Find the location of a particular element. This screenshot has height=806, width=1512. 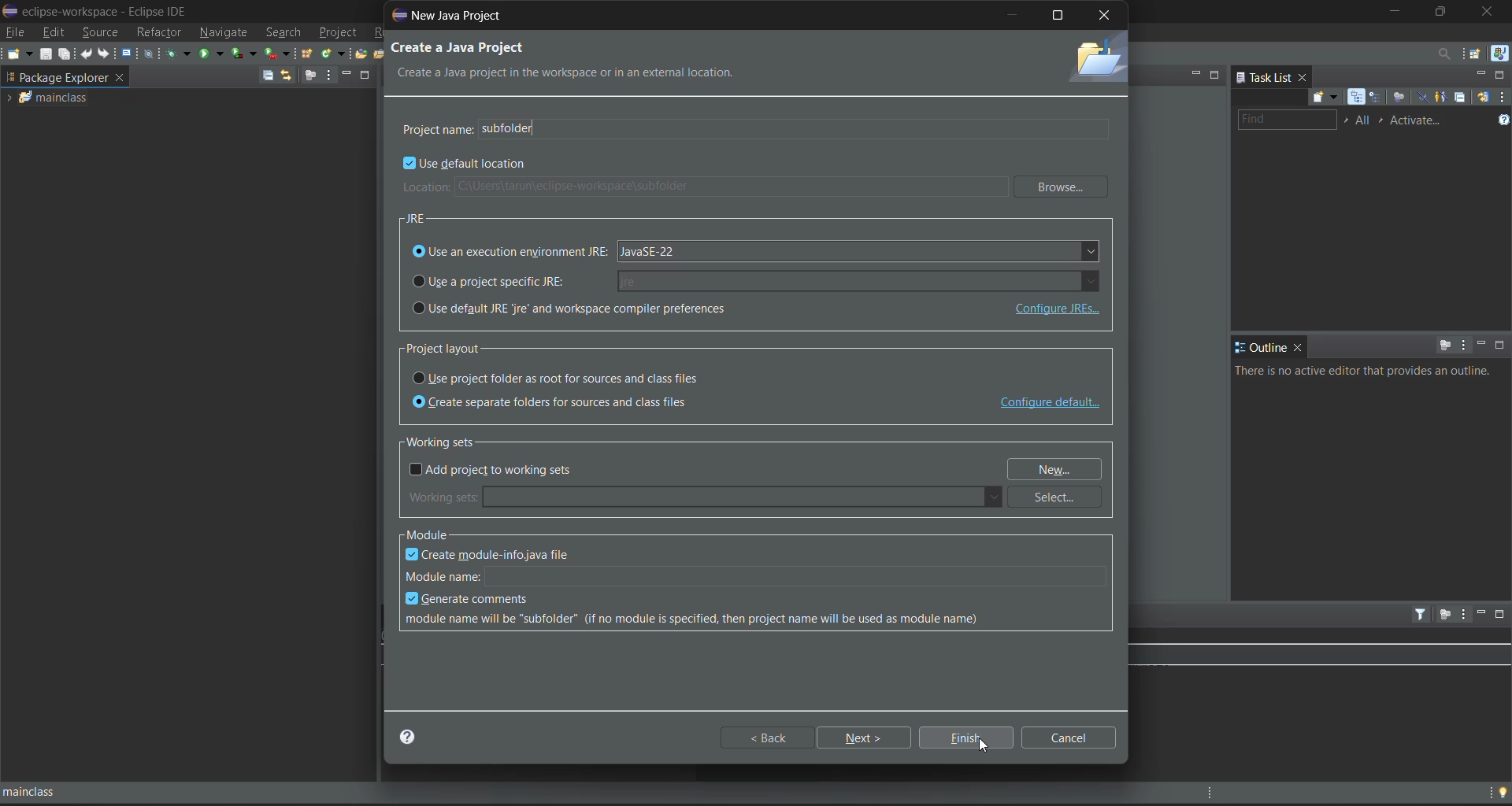

source is located at coordinates (102, 31).